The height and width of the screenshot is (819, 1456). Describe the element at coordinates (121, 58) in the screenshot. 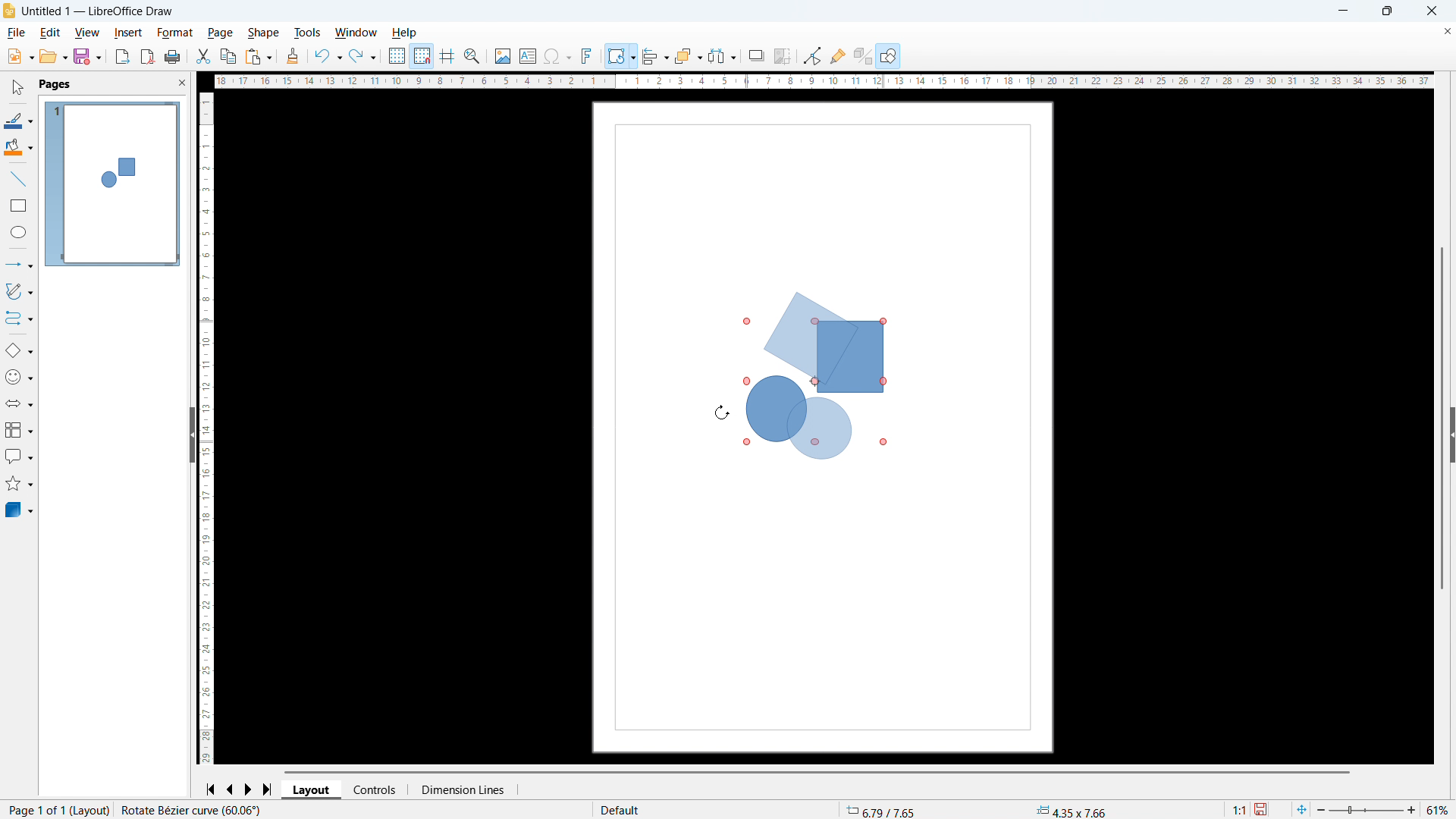

I see `Export ` at that location.